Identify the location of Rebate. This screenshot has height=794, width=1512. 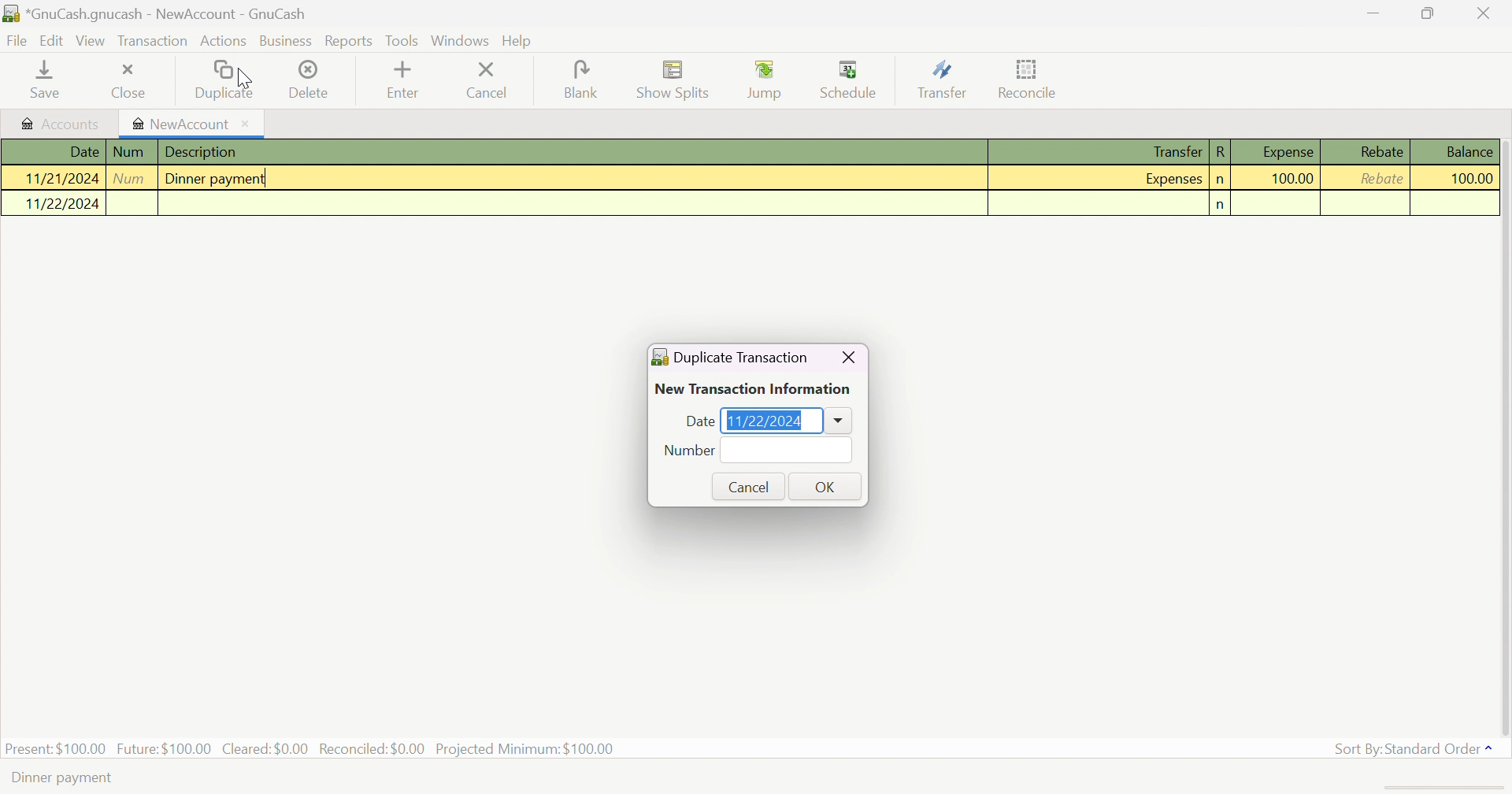
(1380, 151).